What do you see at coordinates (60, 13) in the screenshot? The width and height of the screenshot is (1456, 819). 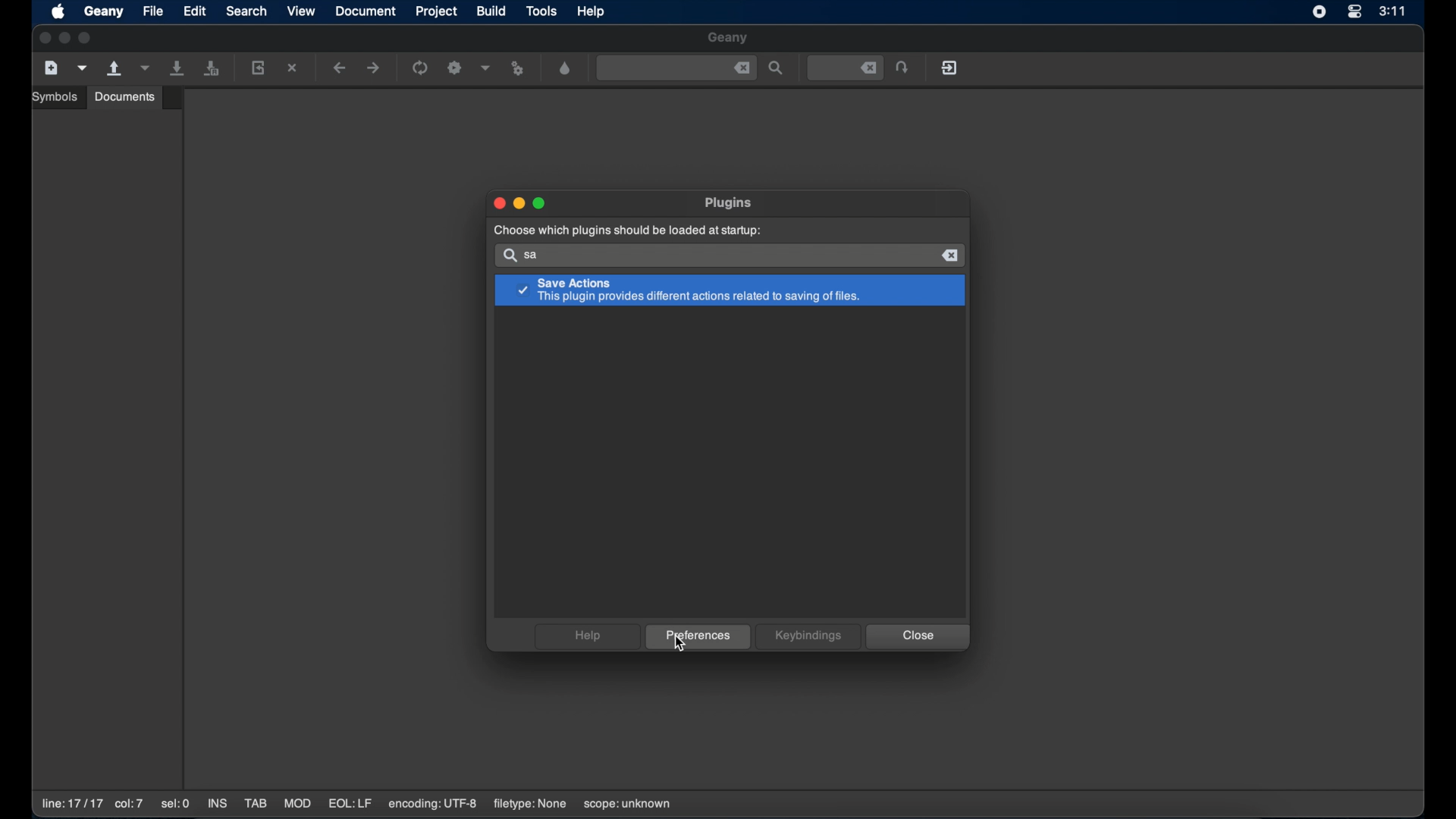 I see `apple icon` at bounding box center [60, 13].